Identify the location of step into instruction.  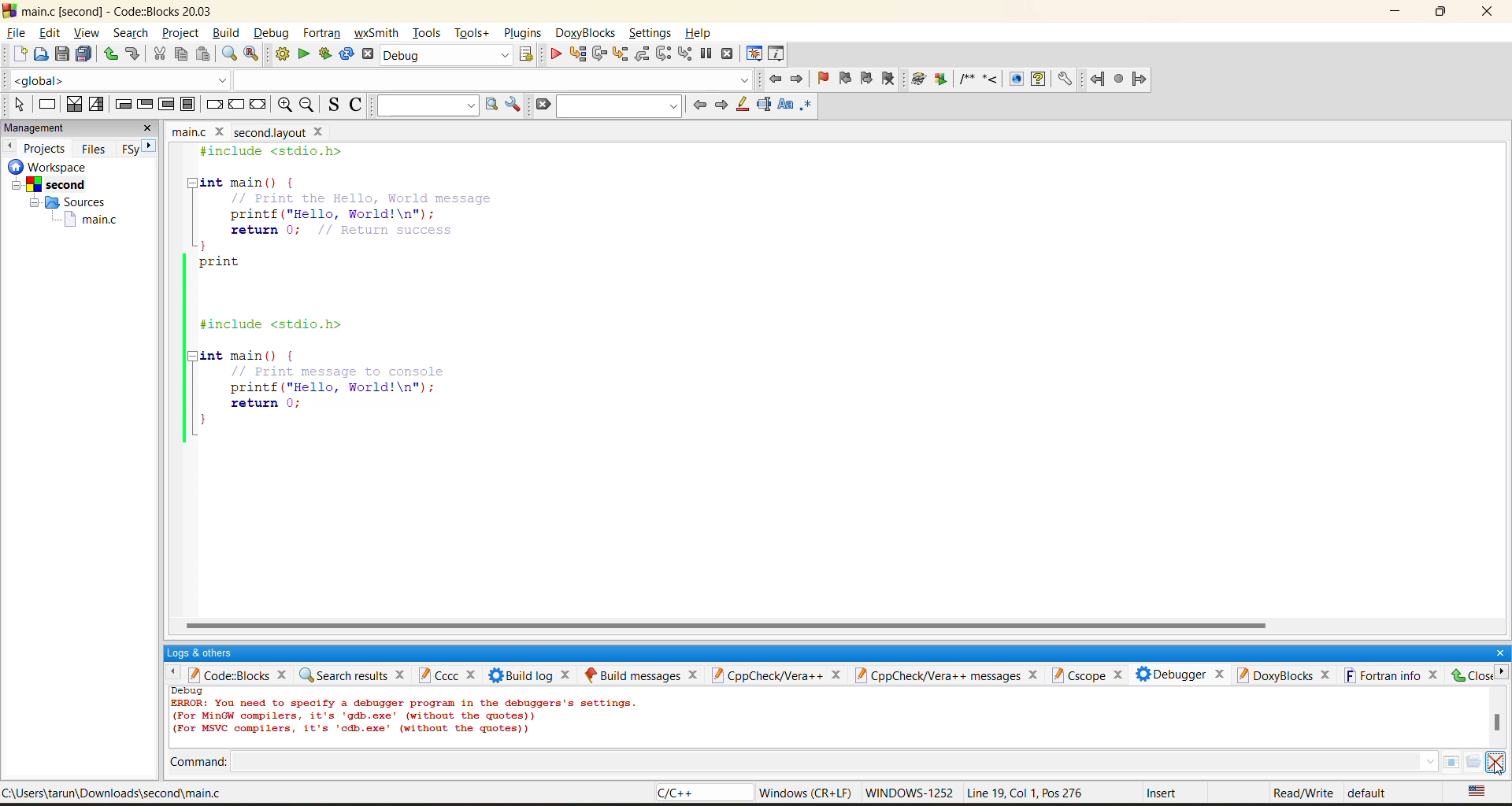
(684, 55).